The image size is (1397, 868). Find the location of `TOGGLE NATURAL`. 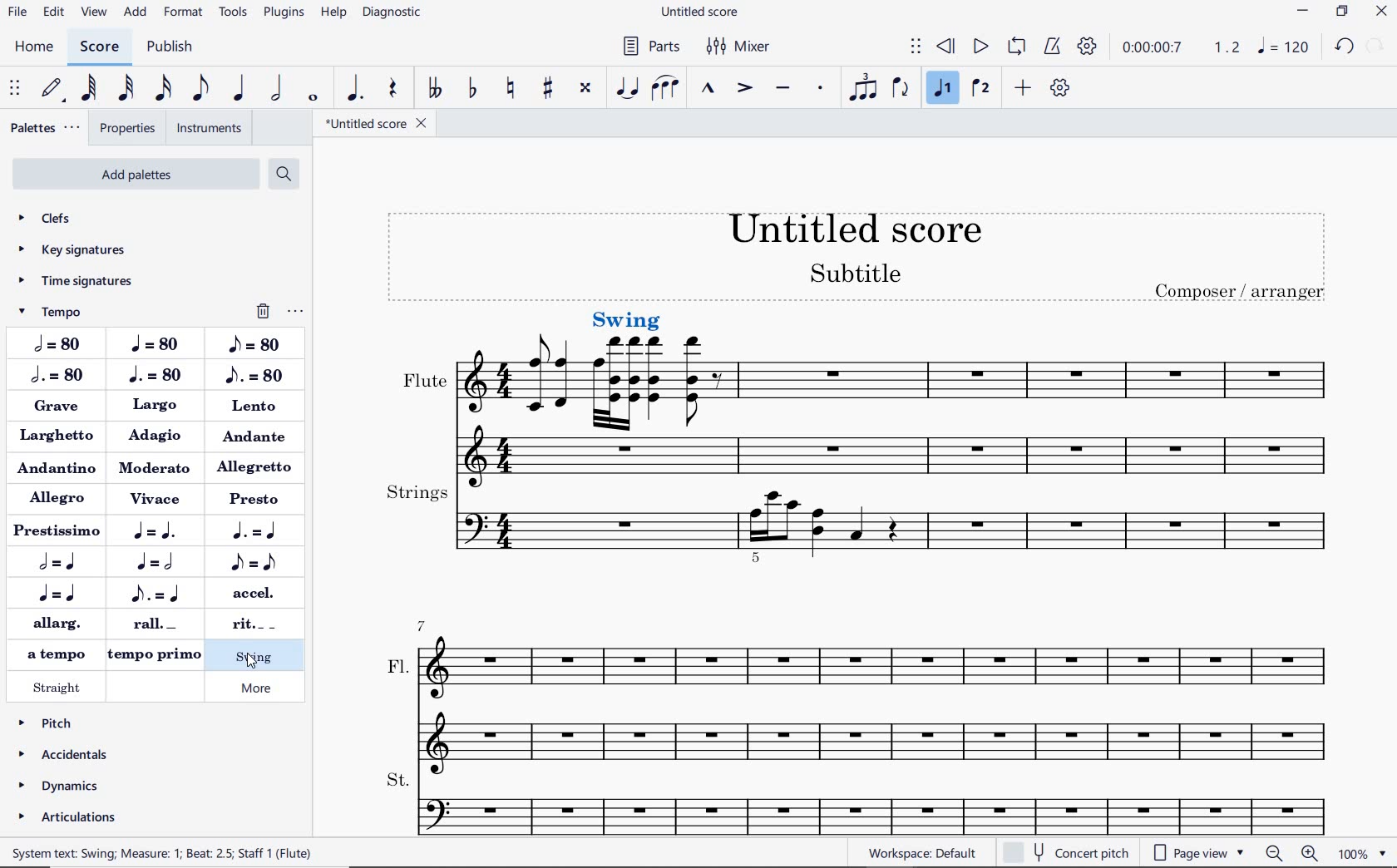

TOGGLE NATURAL is located at coordinates (512, 89).